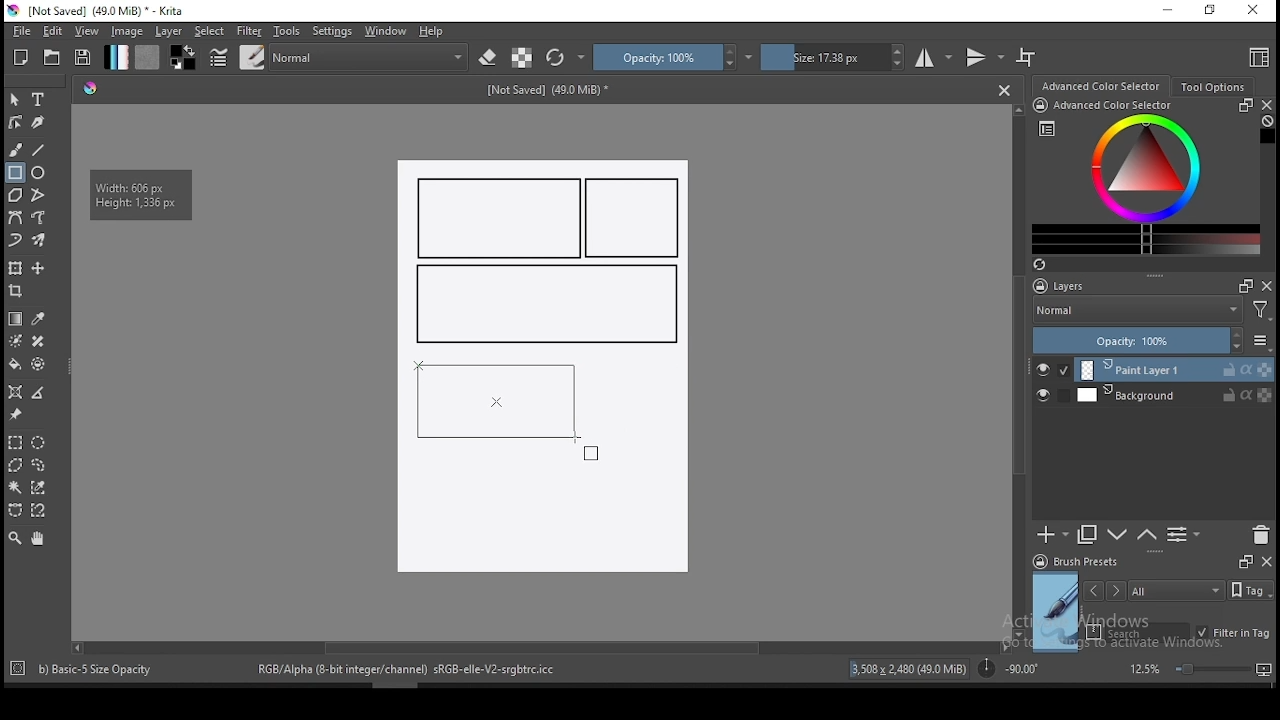  Describe the element at coordinates (17, 341) in the screenshot. I see `colorize mask tool` at that location.